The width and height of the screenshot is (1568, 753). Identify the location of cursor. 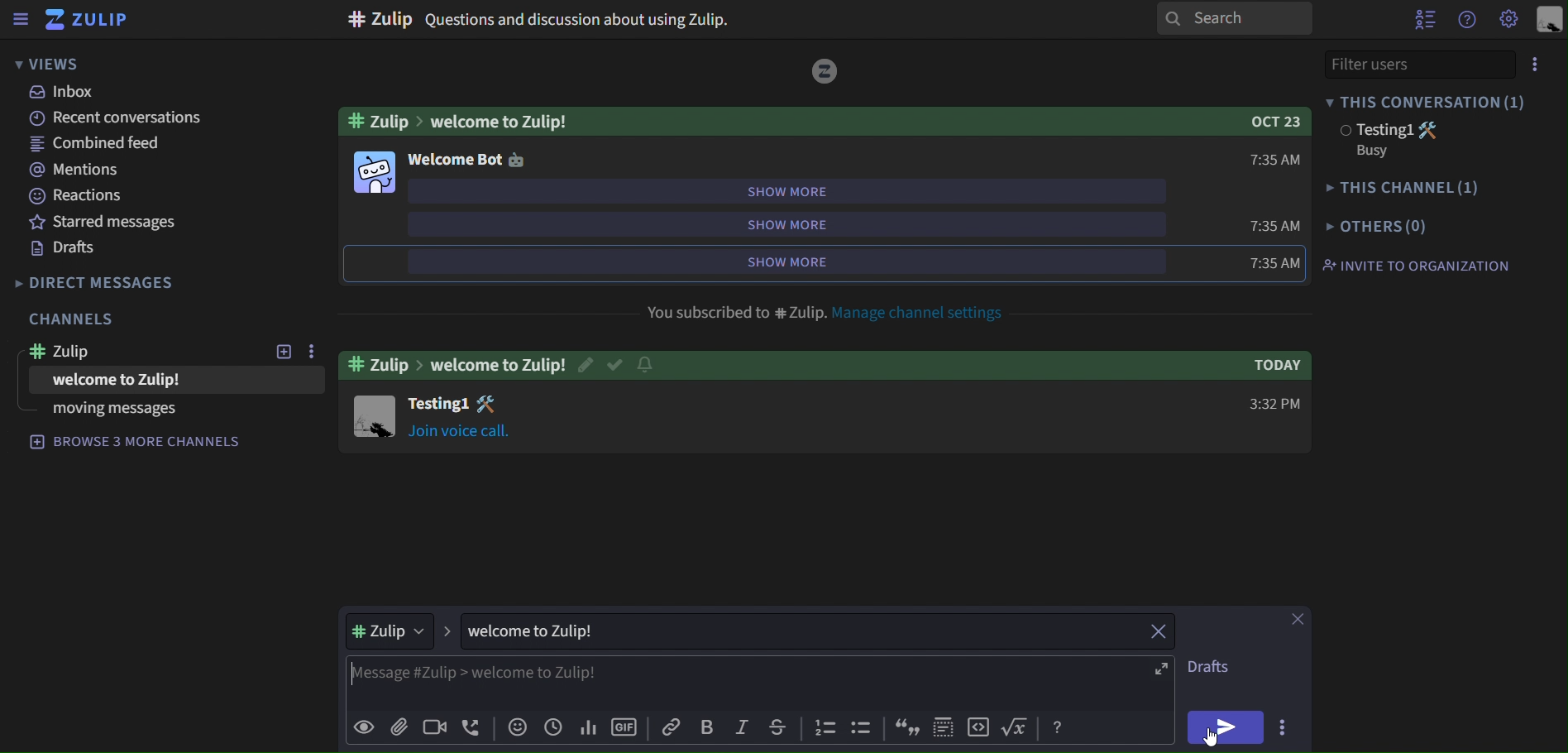
(1214, 738).